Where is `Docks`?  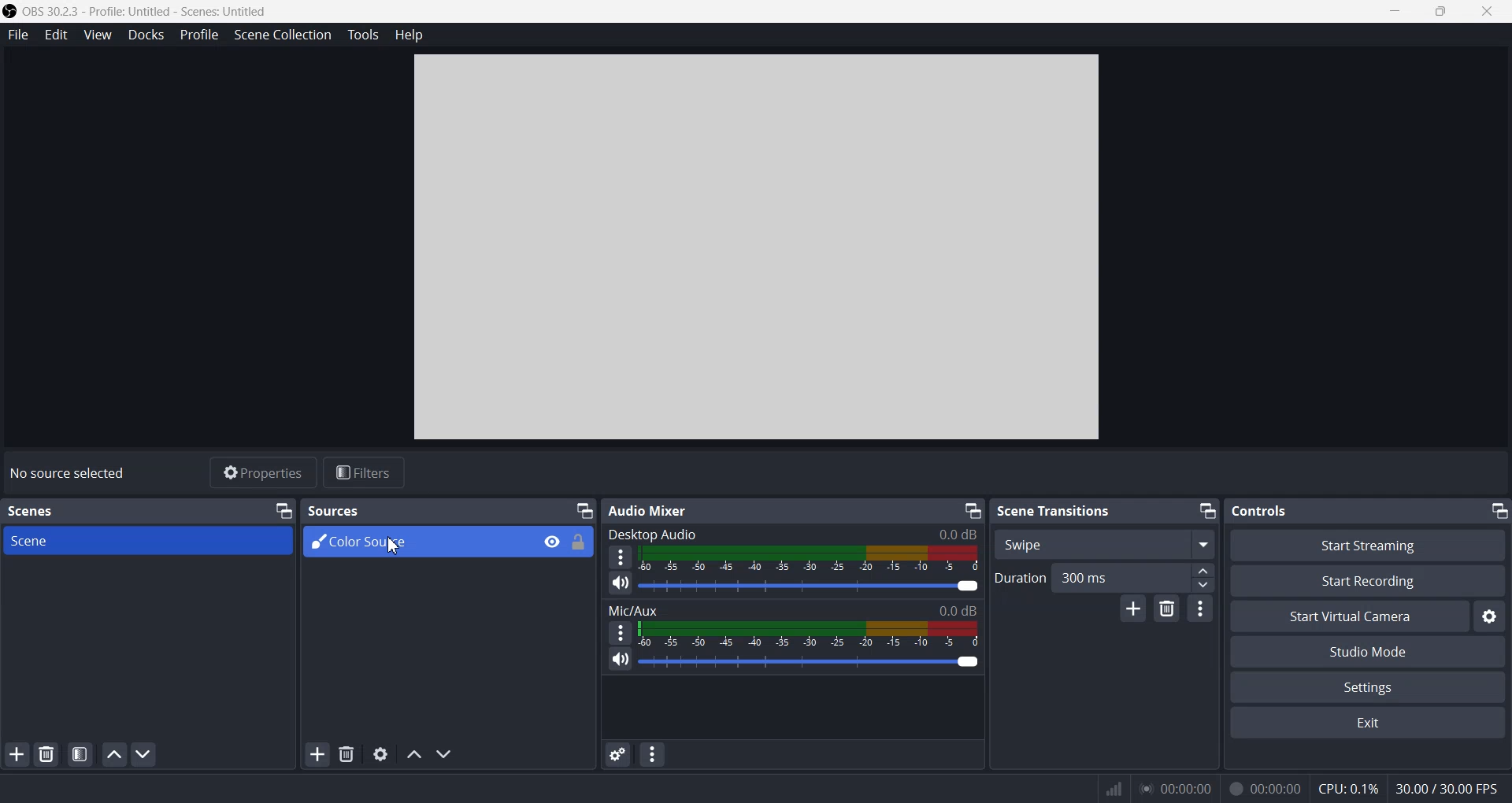
Docks is located at coordinates (146, 34).